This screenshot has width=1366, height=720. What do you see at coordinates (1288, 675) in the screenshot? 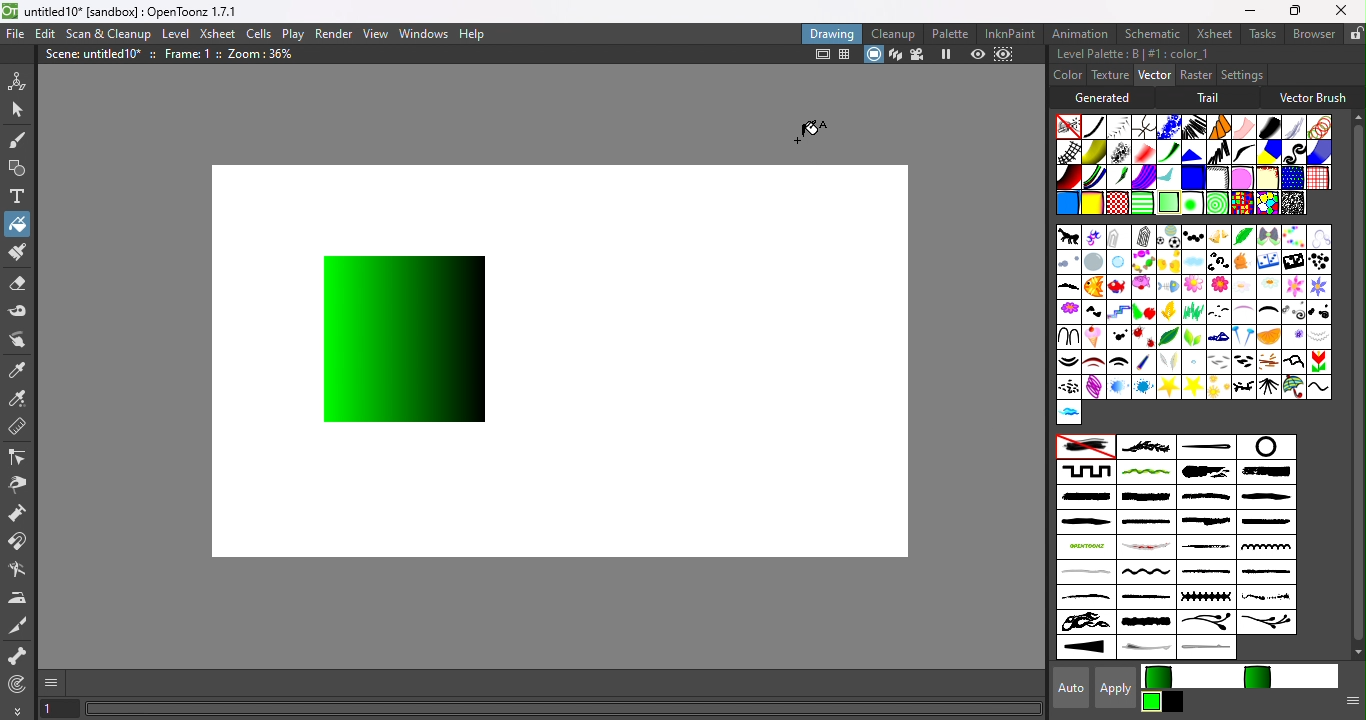
I see `return to previous style` at bounding box center [1288, 675].